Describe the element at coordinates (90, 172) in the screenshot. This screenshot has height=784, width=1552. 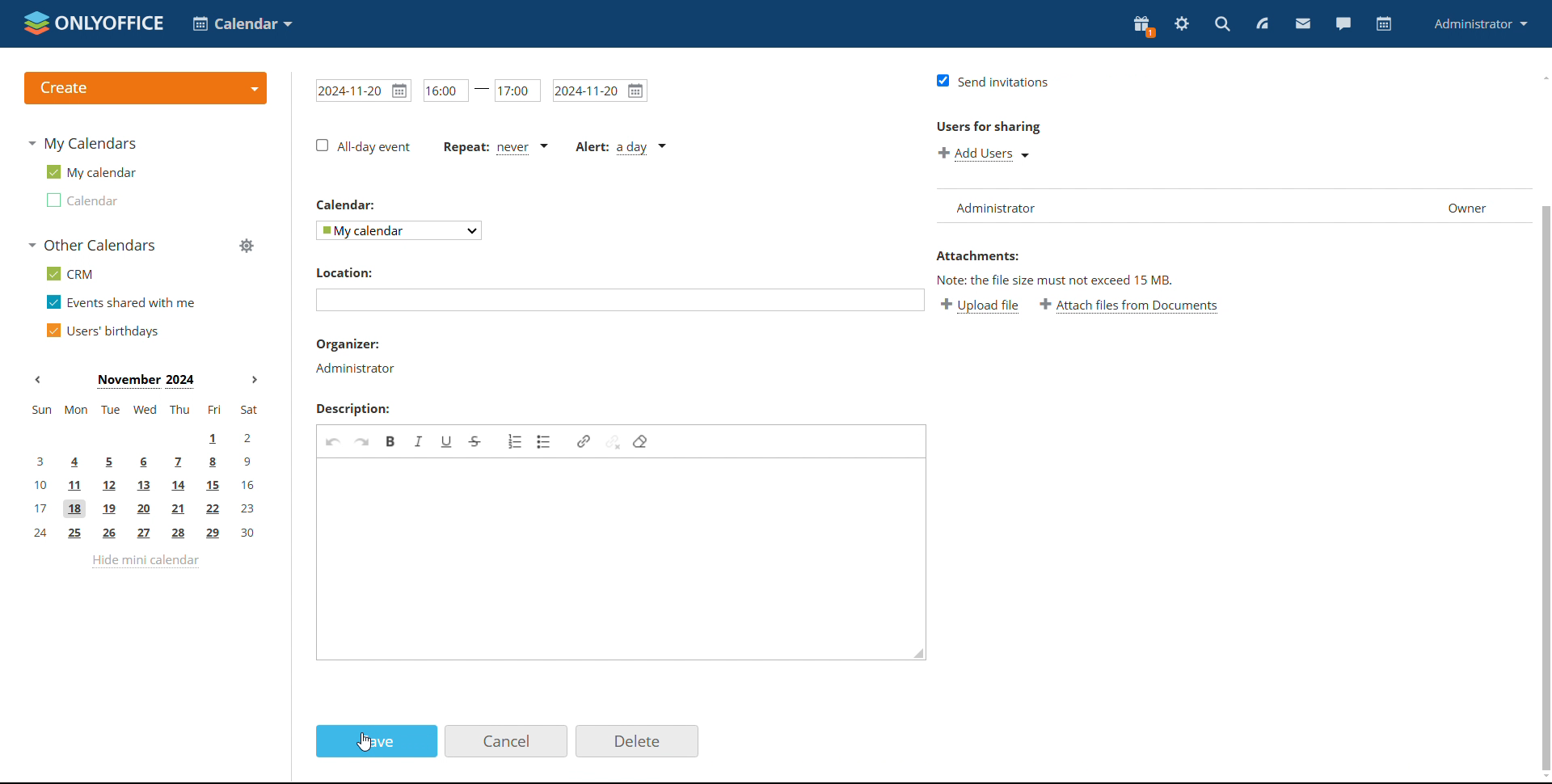
I see `my calendar` at that location.